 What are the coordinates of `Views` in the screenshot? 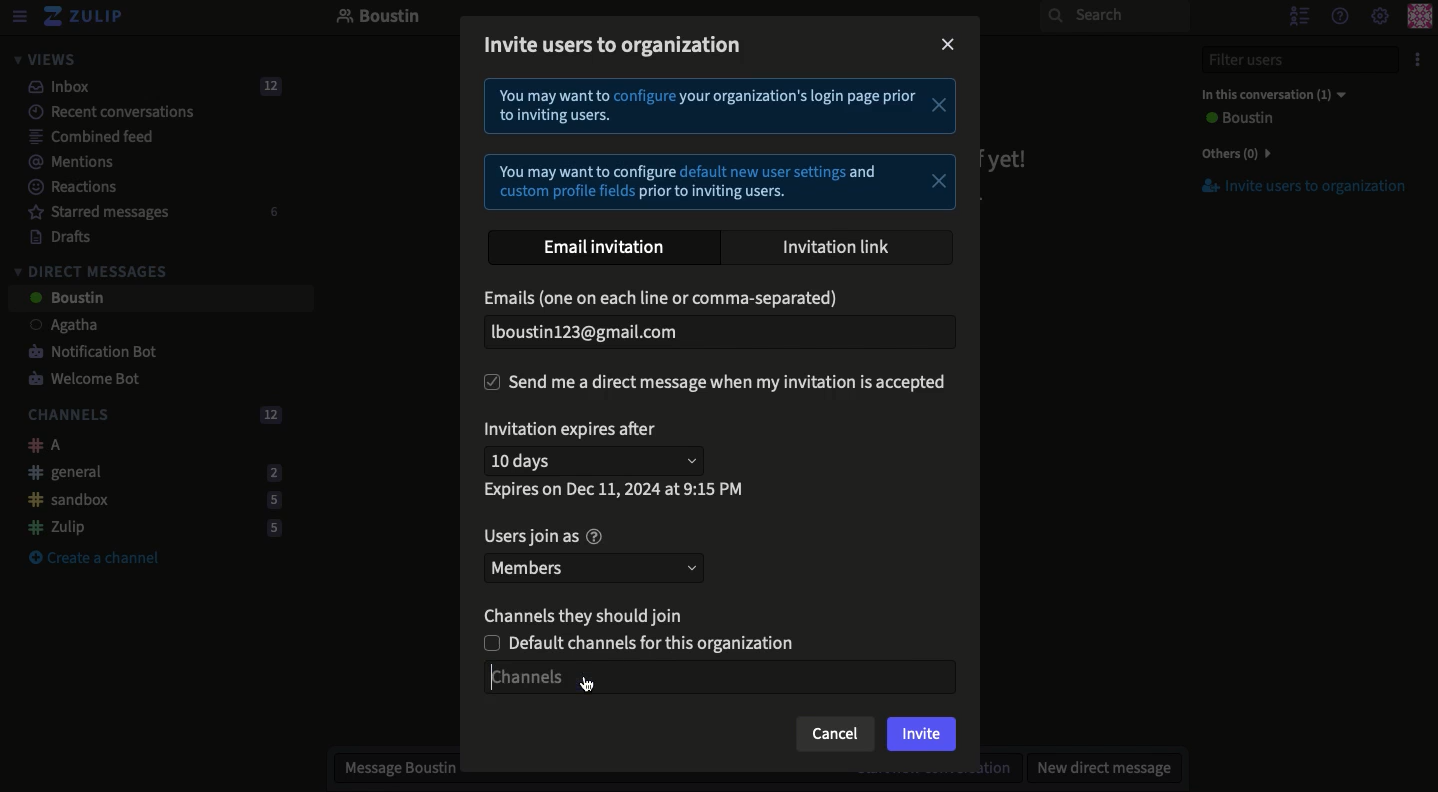 It's located at (44, 59).